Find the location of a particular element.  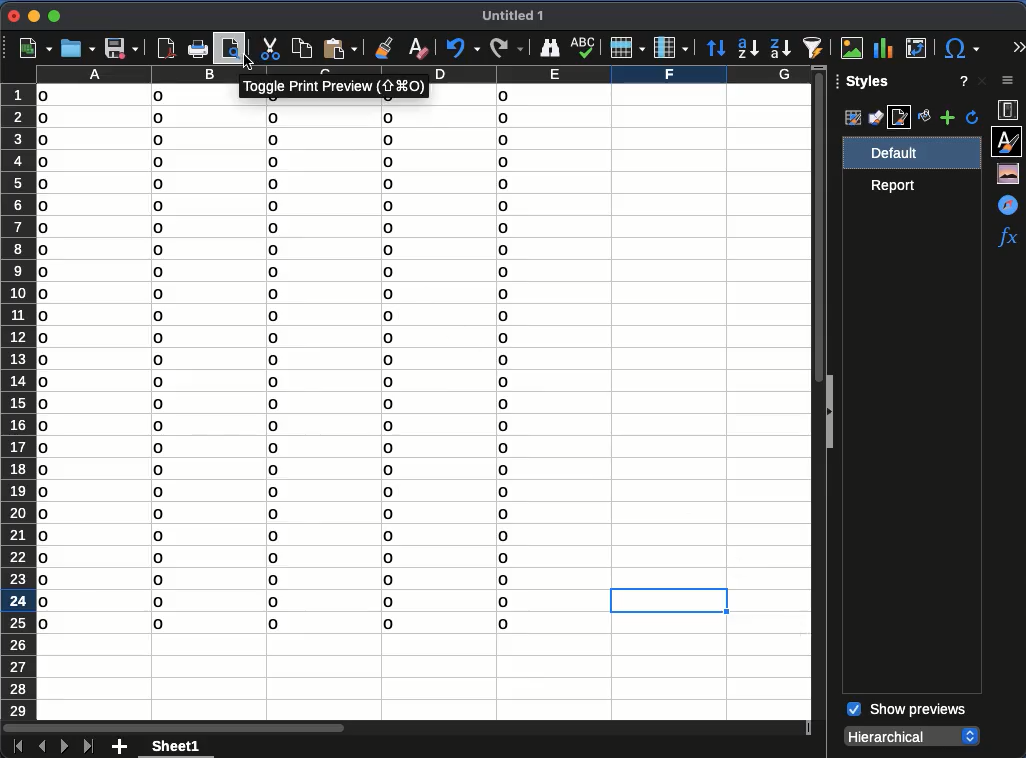

print preview is located at coordinates (233, 47).